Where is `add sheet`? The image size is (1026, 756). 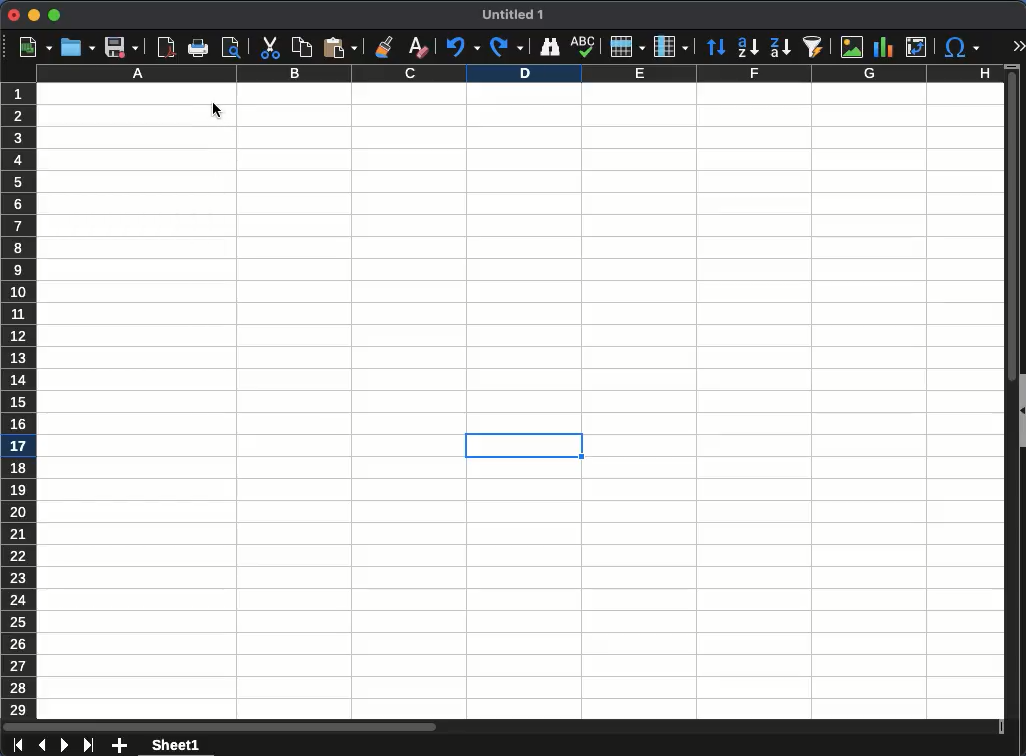
add sheet is located at coordinates (117, 746).